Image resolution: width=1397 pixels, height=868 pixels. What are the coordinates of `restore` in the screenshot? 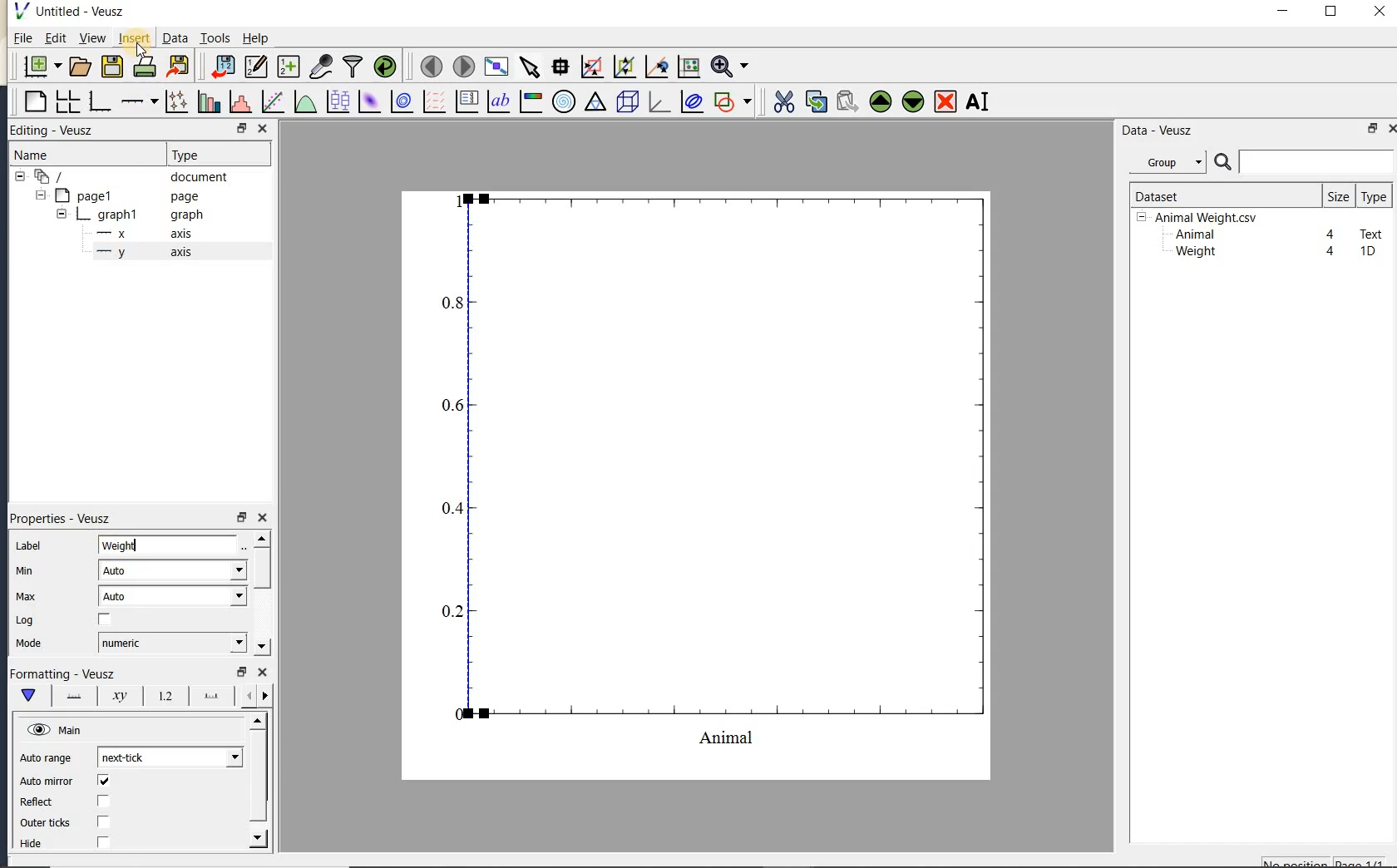 It's located at (240, 518).